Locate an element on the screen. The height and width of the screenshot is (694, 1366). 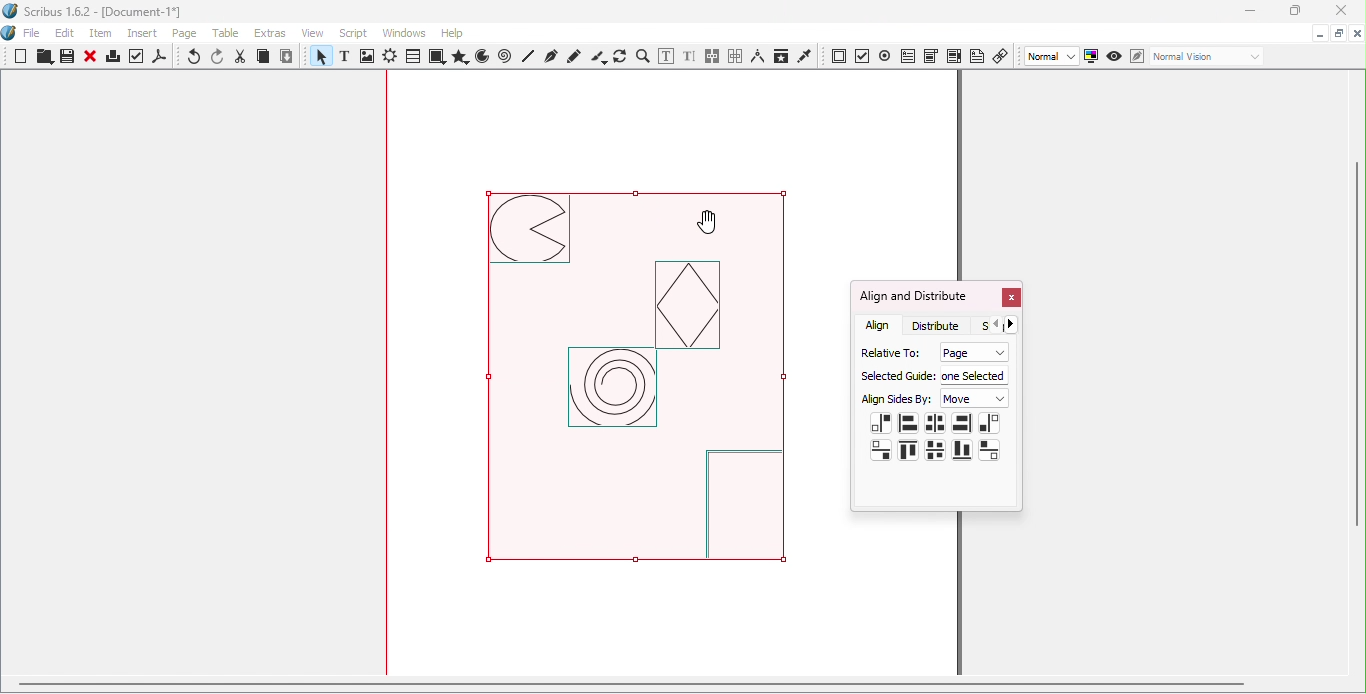
Preview mode is located at coordinates (1115, 57).